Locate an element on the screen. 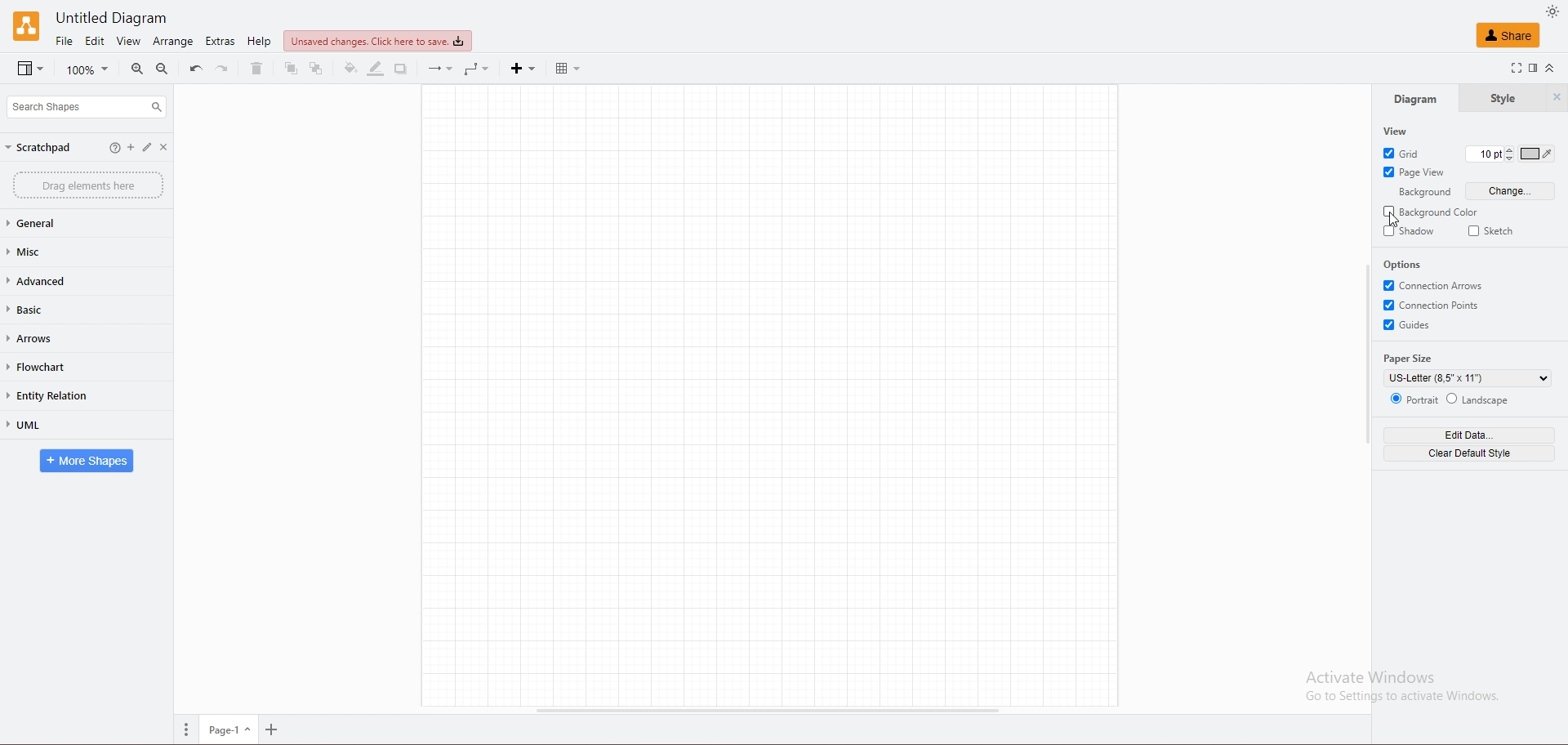  edit is located at coordinates (131, 149).